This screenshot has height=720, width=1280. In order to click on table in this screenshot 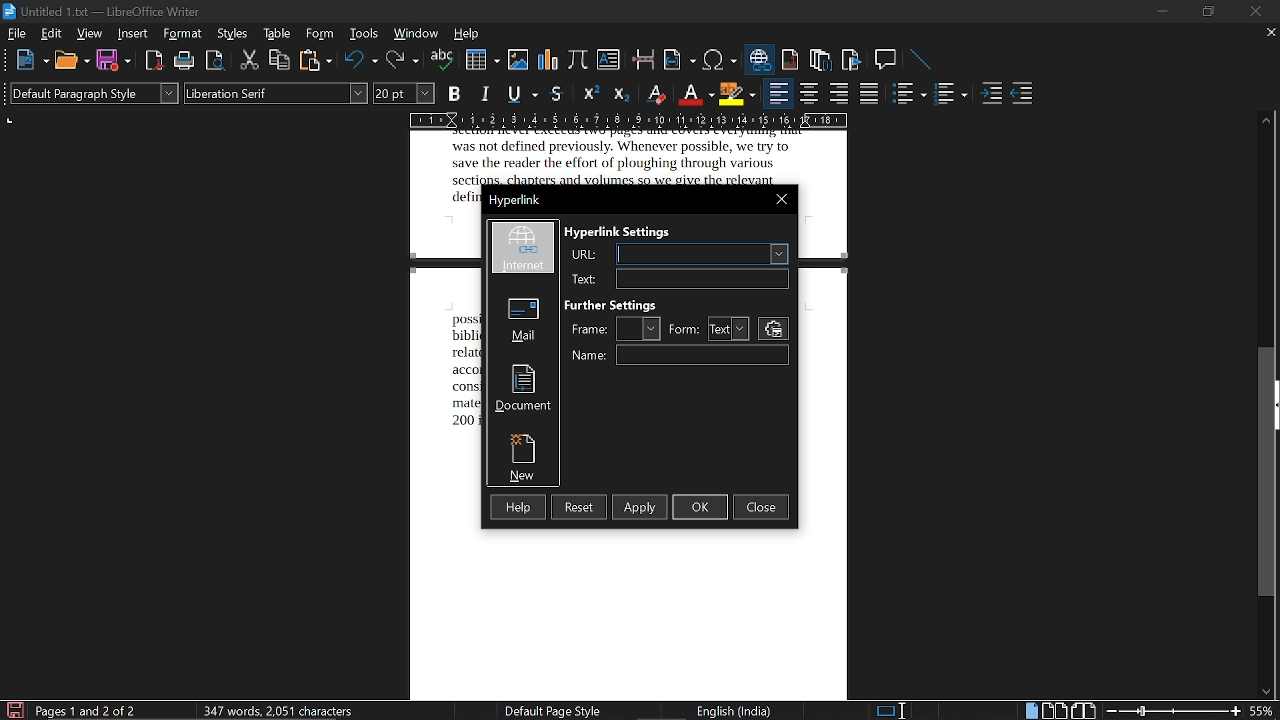, I will do `click(277, 35)`.